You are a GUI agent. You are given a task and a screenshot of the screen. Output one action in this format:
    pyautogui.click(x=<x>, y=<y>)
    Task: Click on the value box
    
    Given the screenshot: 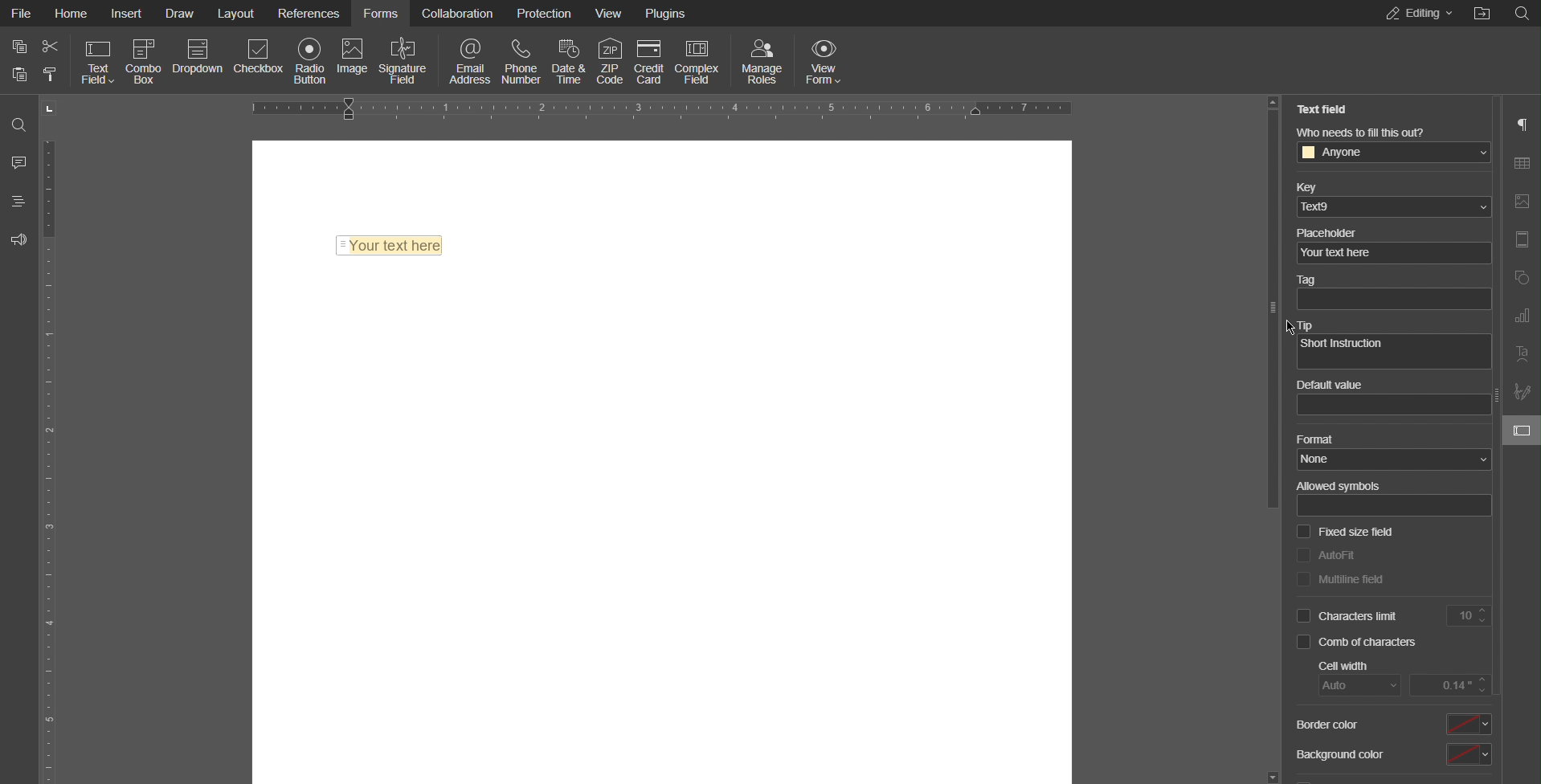 What is the action you would take?
    pyautogui.click(x=1395, y=404)
    